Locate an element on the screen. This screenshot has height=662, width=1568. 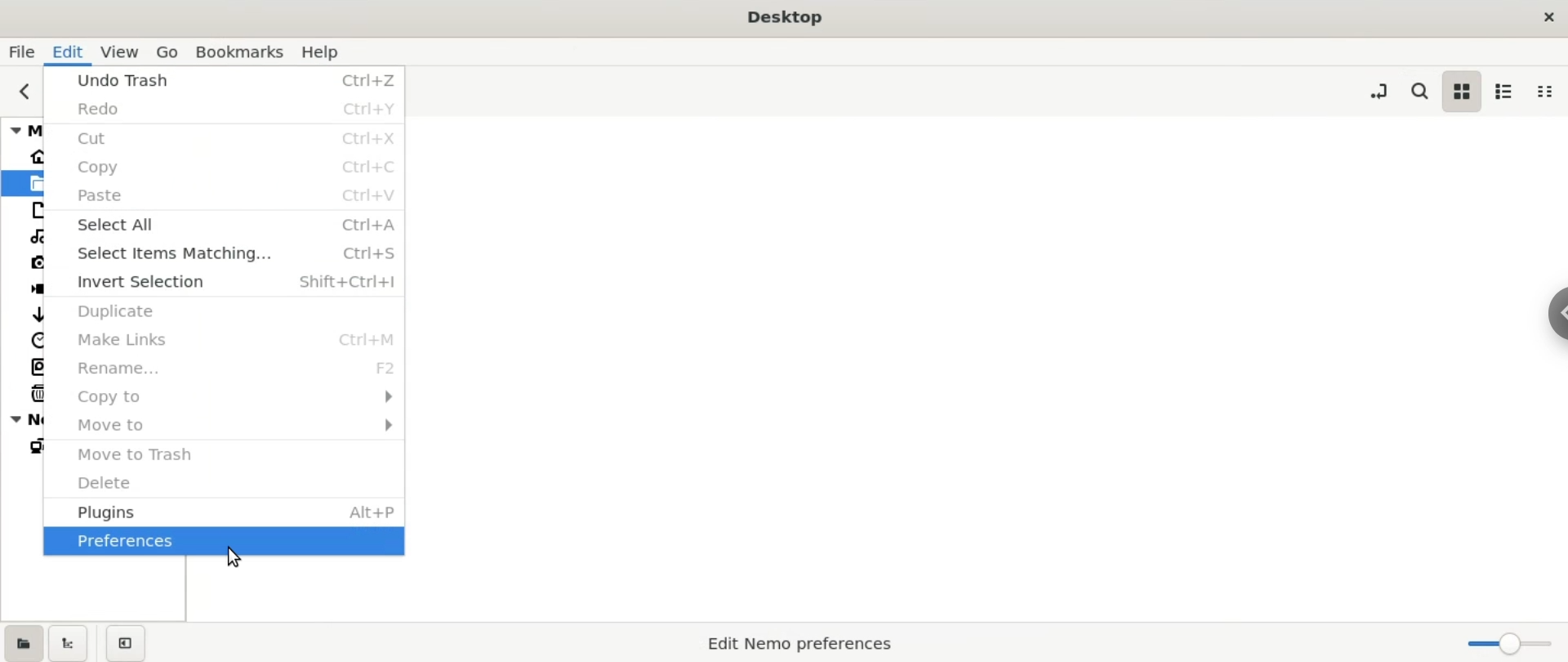
Chrome options is located at coordinates (1557, 313).